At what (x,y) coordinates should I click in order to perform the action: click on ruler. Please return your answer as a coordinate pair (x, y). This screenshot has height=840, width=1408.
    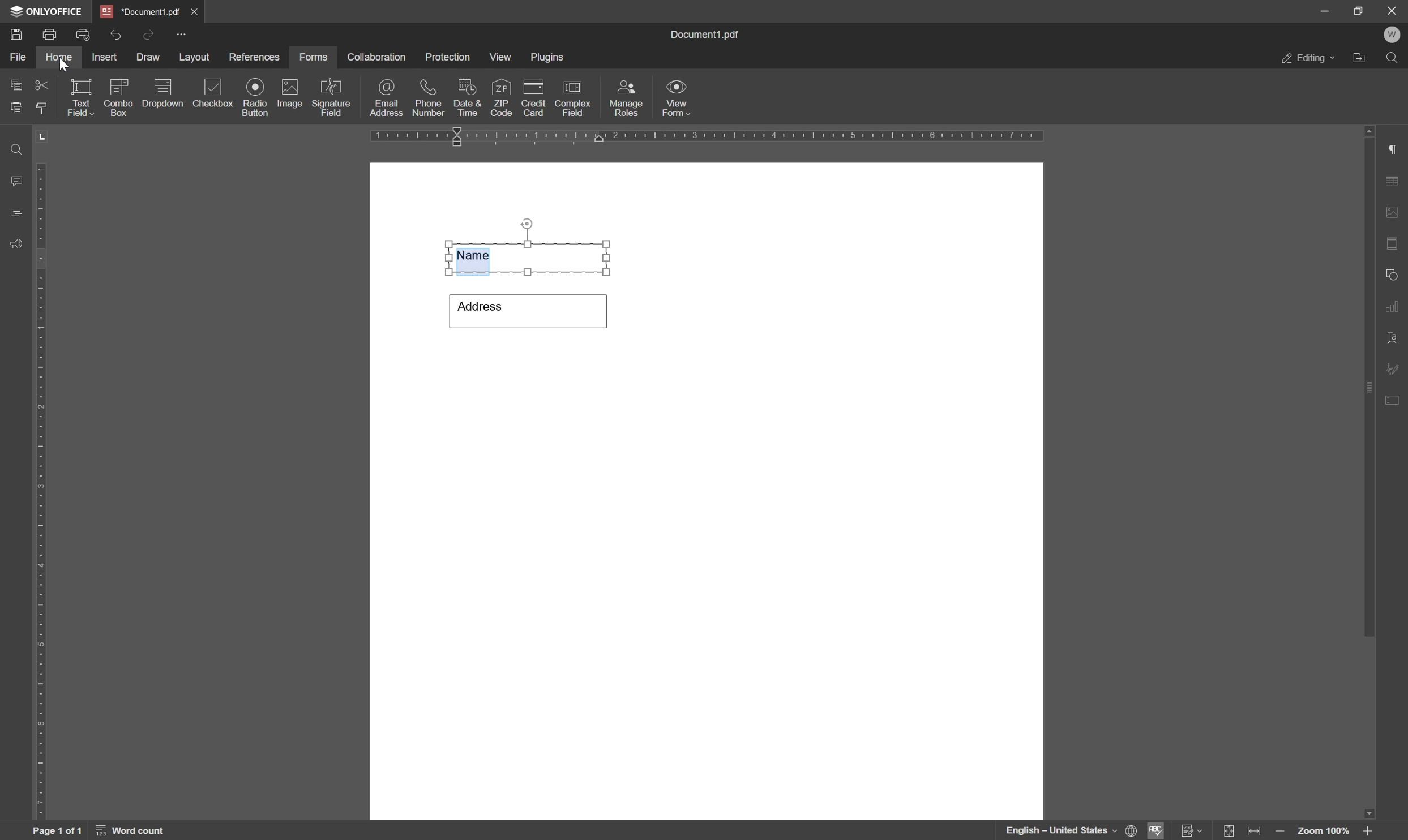
    Looking at the image, I should click on (40, 488).